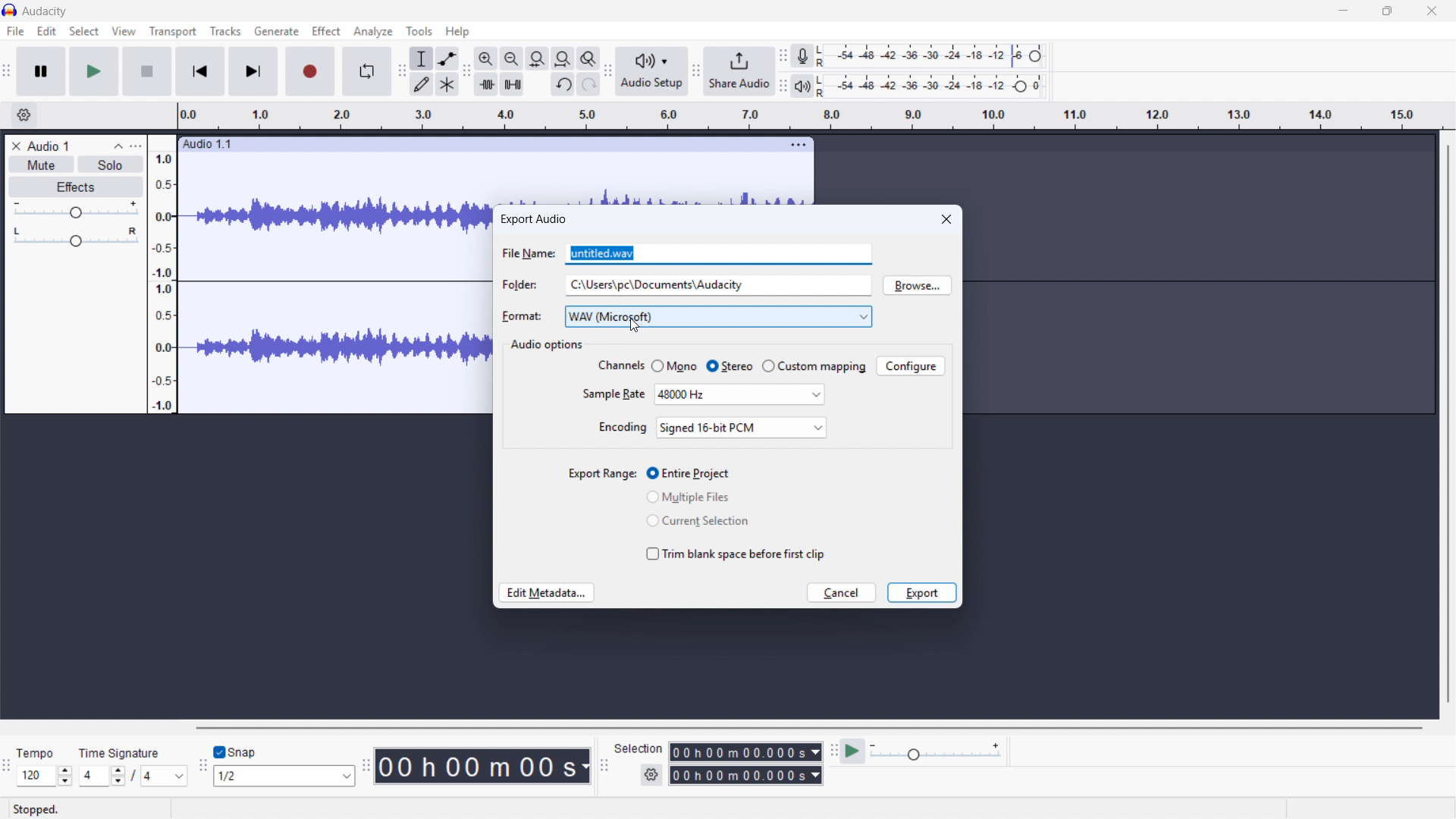  I want to click on Record , so click(310, 71).